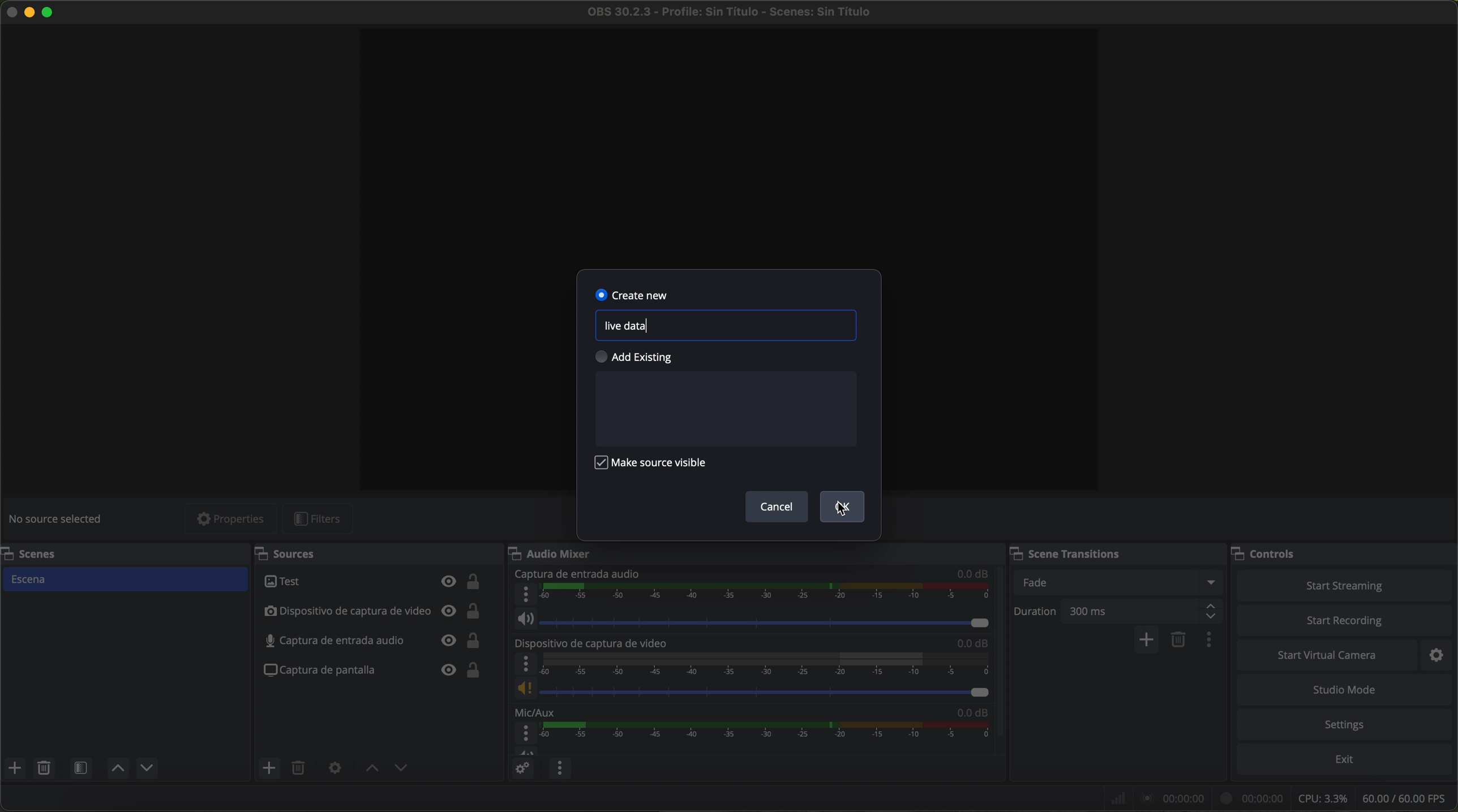  What do you see at coordinates (729, 12) in the screenshot?
I see `file name` at bounding box center [729, 12].